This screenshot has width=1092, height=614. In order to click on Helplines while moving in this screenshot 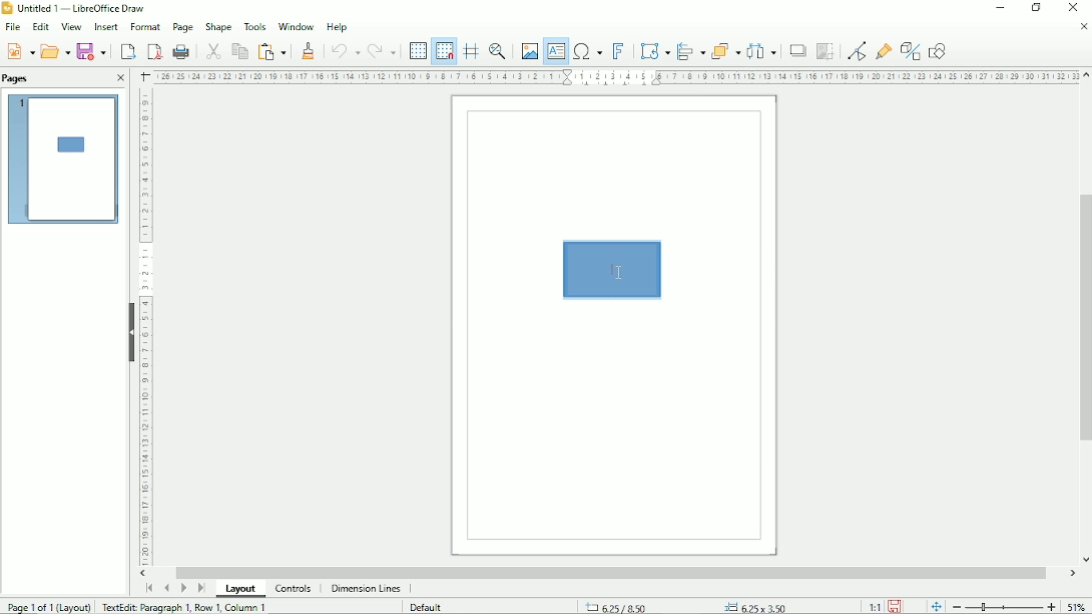, I will do `click(471, 48)`.